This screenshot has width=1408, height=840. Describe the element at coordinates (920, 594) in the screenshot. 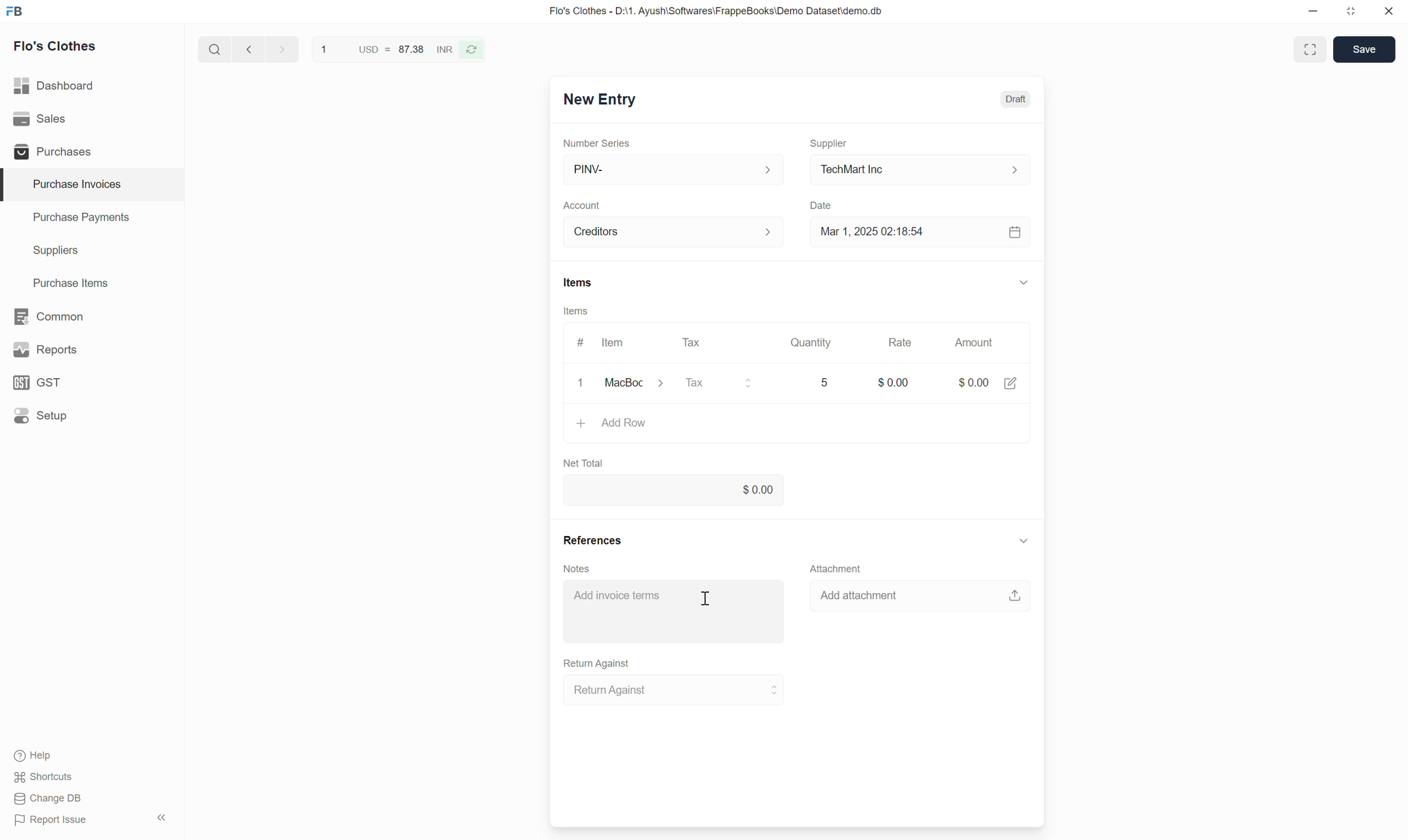

I see `Add attachment` at that location.